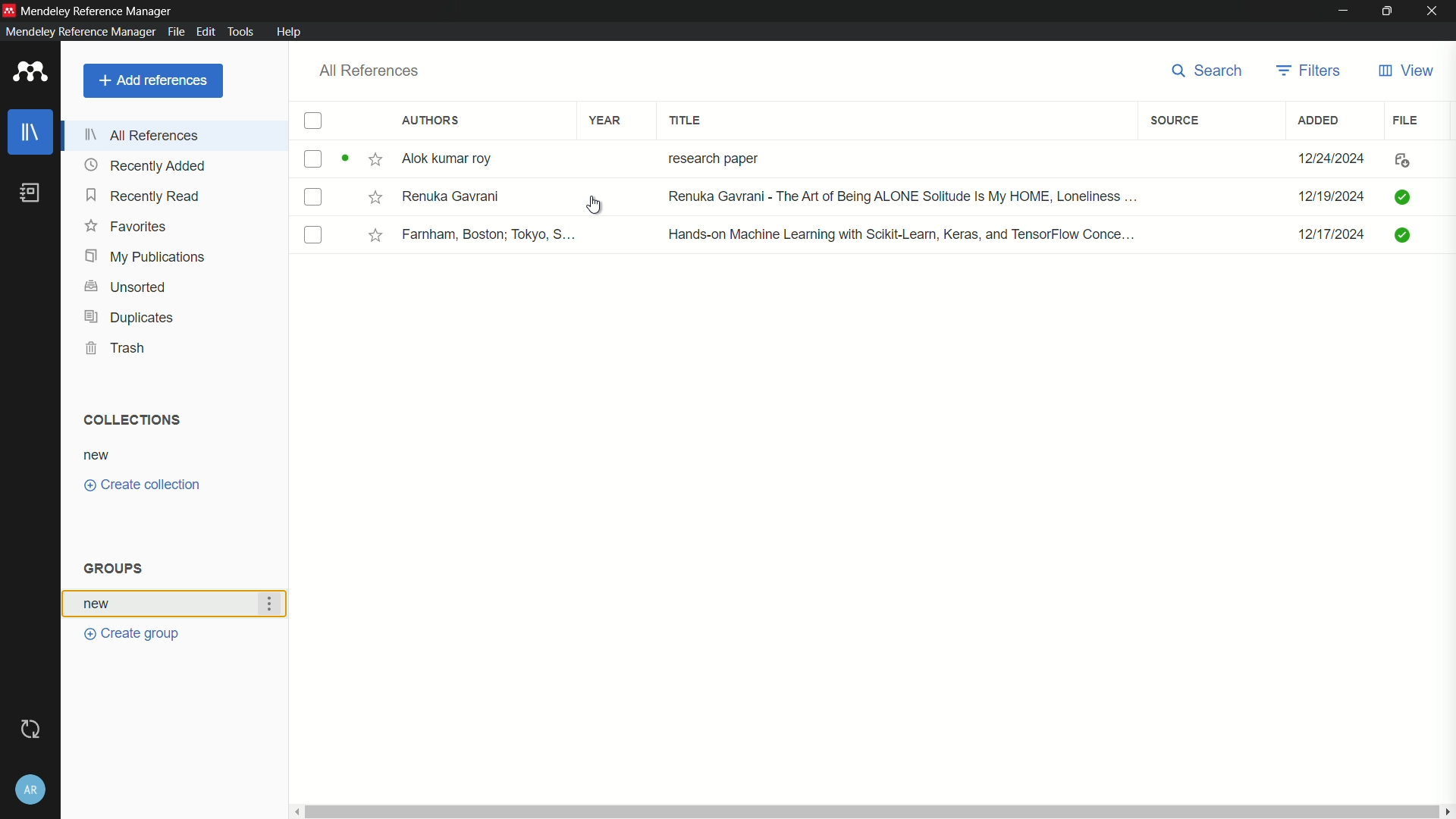 This screenshot has width=1456, height=819. What do you see at coordinates (174, 30) in the screenshot?
I see `file menu` at bounding box center [174, 30].